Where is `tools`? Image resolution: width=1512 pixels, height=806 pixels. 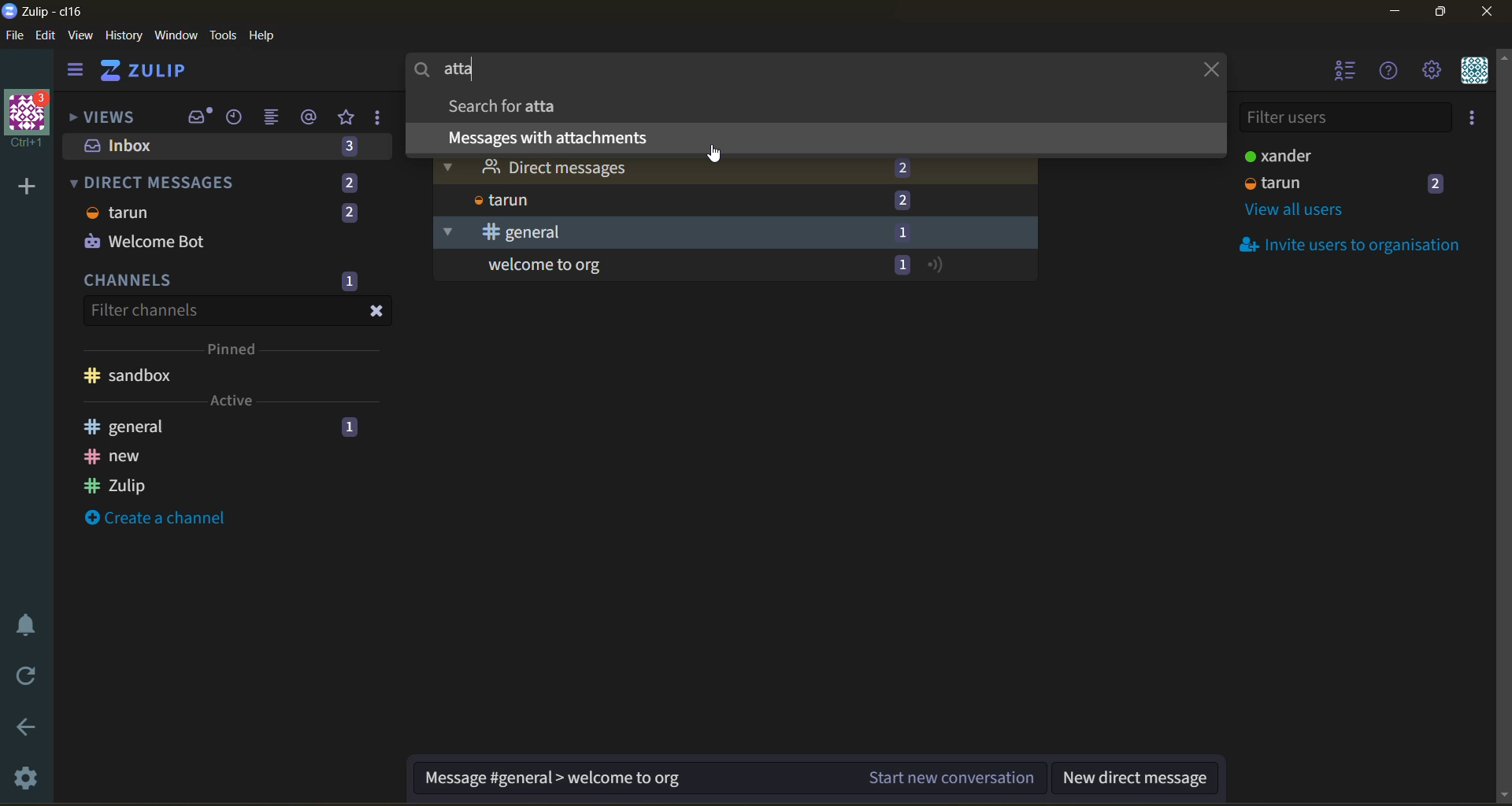
tools is located at coordinates (223, 35).